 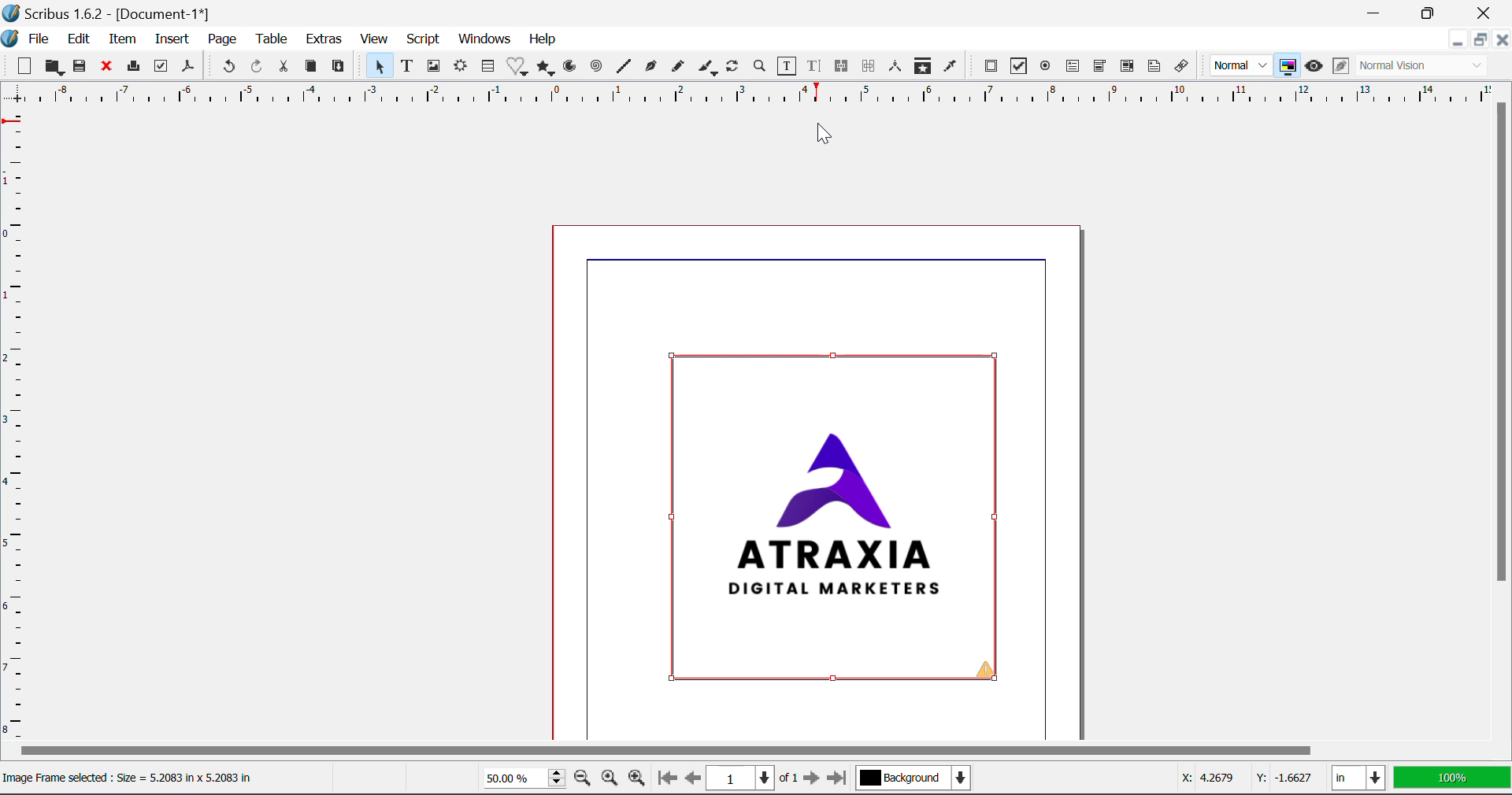 I want to click on Copy Item Properties, so click(x=925, y=69).